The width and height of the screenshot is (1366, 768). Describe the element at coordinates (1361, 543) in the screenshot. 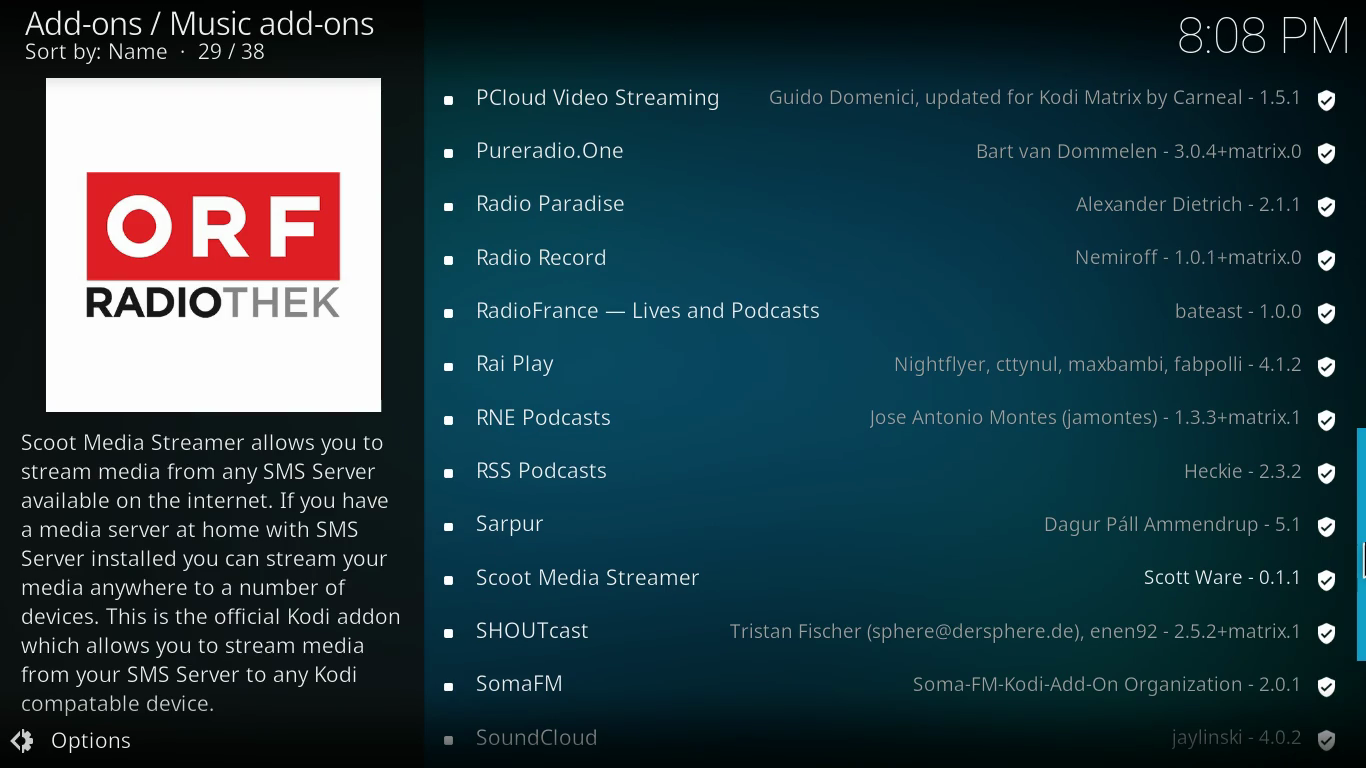

I see `scroll bar` at that location.